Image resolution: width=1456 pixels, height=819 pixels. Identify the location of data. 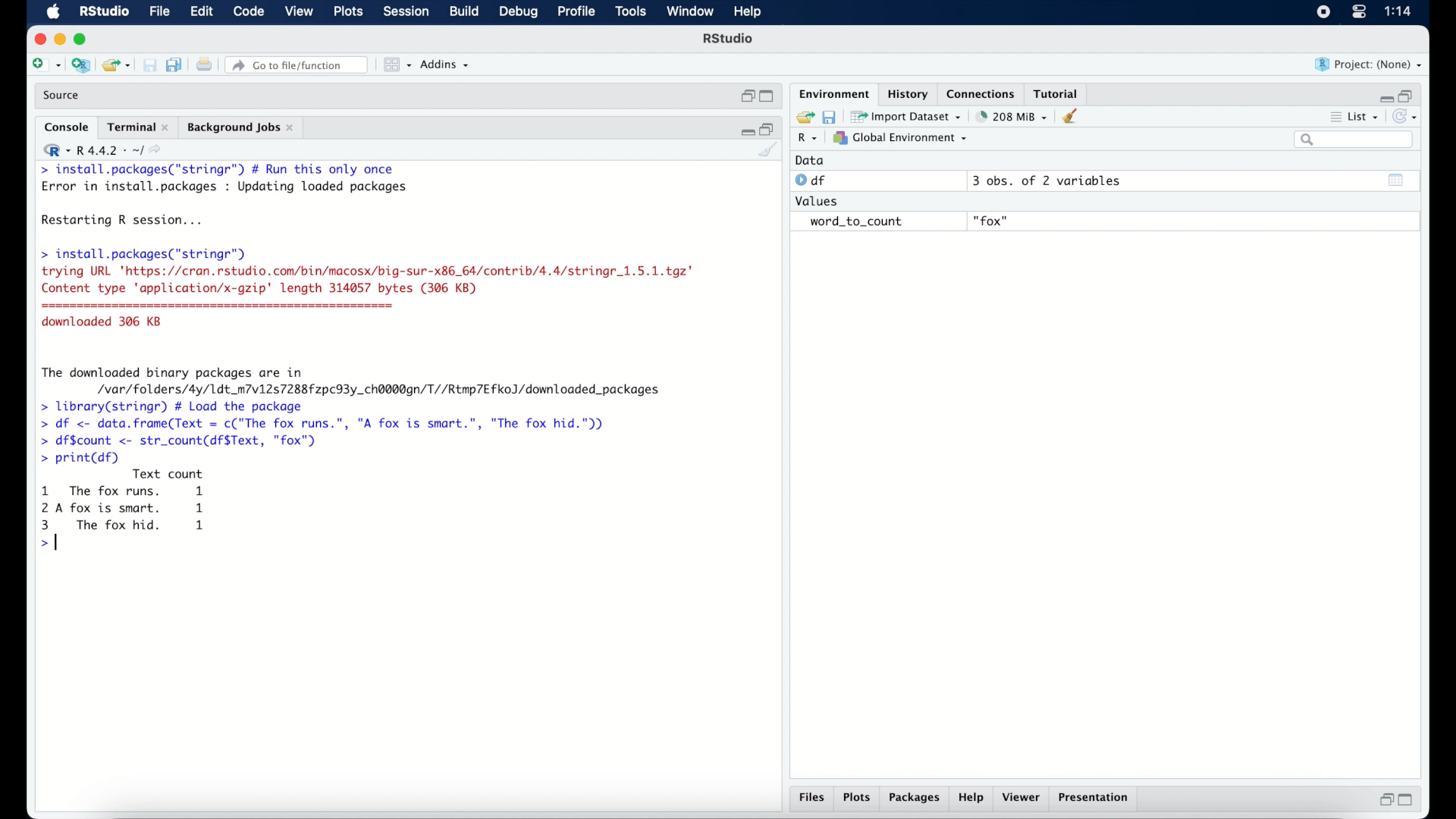
(810, 160).